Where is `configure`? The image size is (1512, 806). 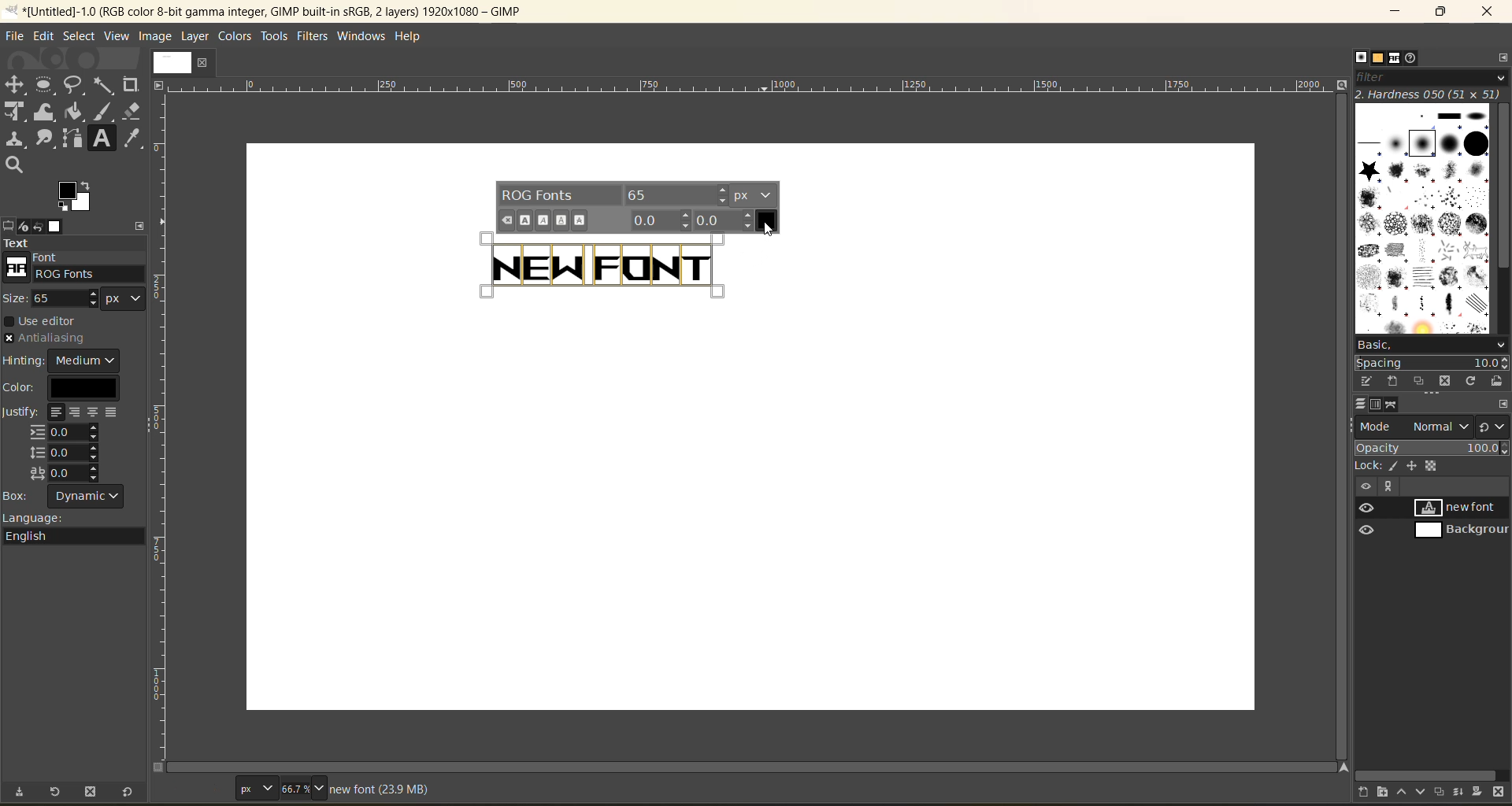
configure is located at coordinates (1503, 60).